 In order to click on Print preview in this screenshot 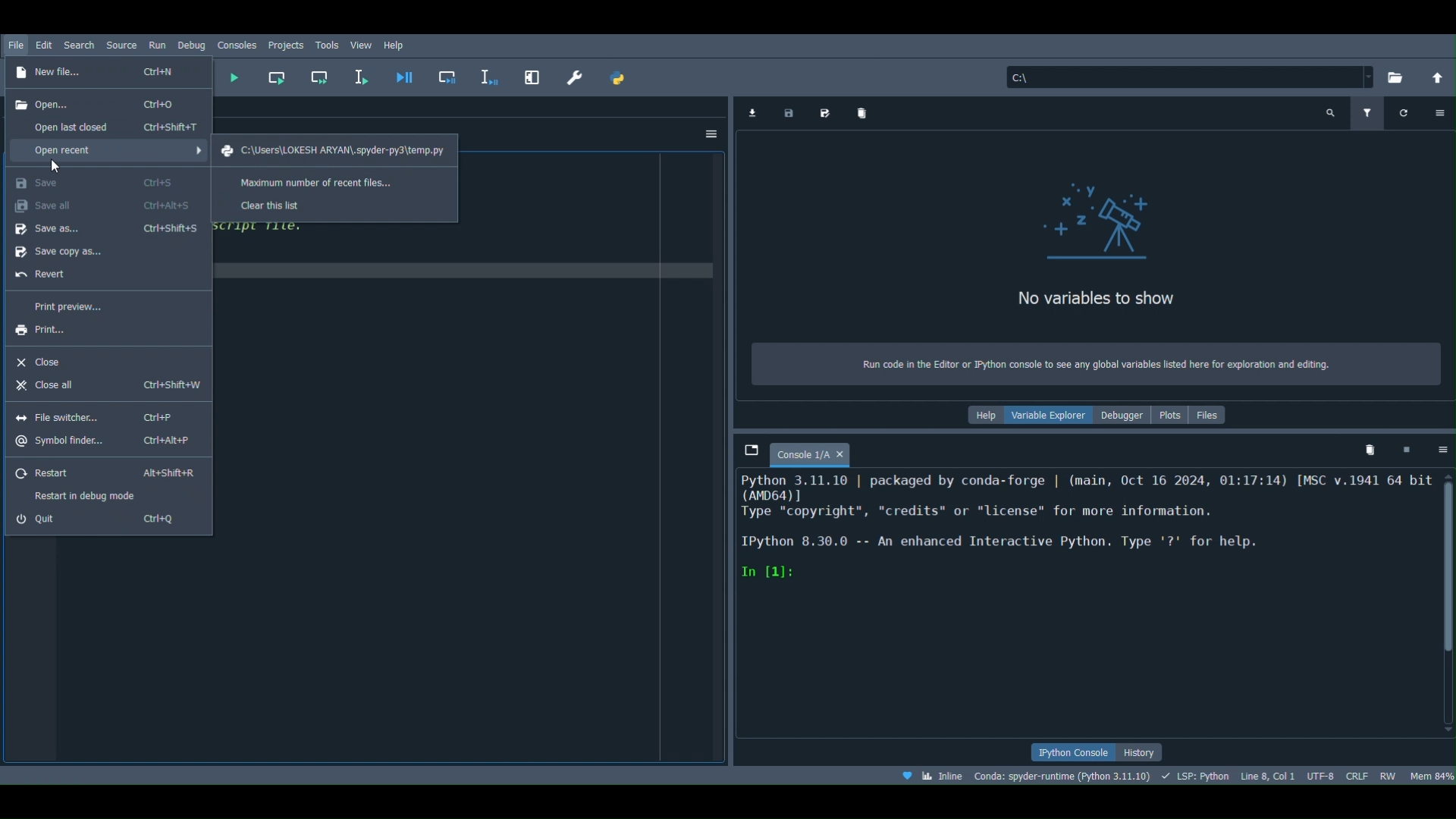, I will do `click(69, 306)`.